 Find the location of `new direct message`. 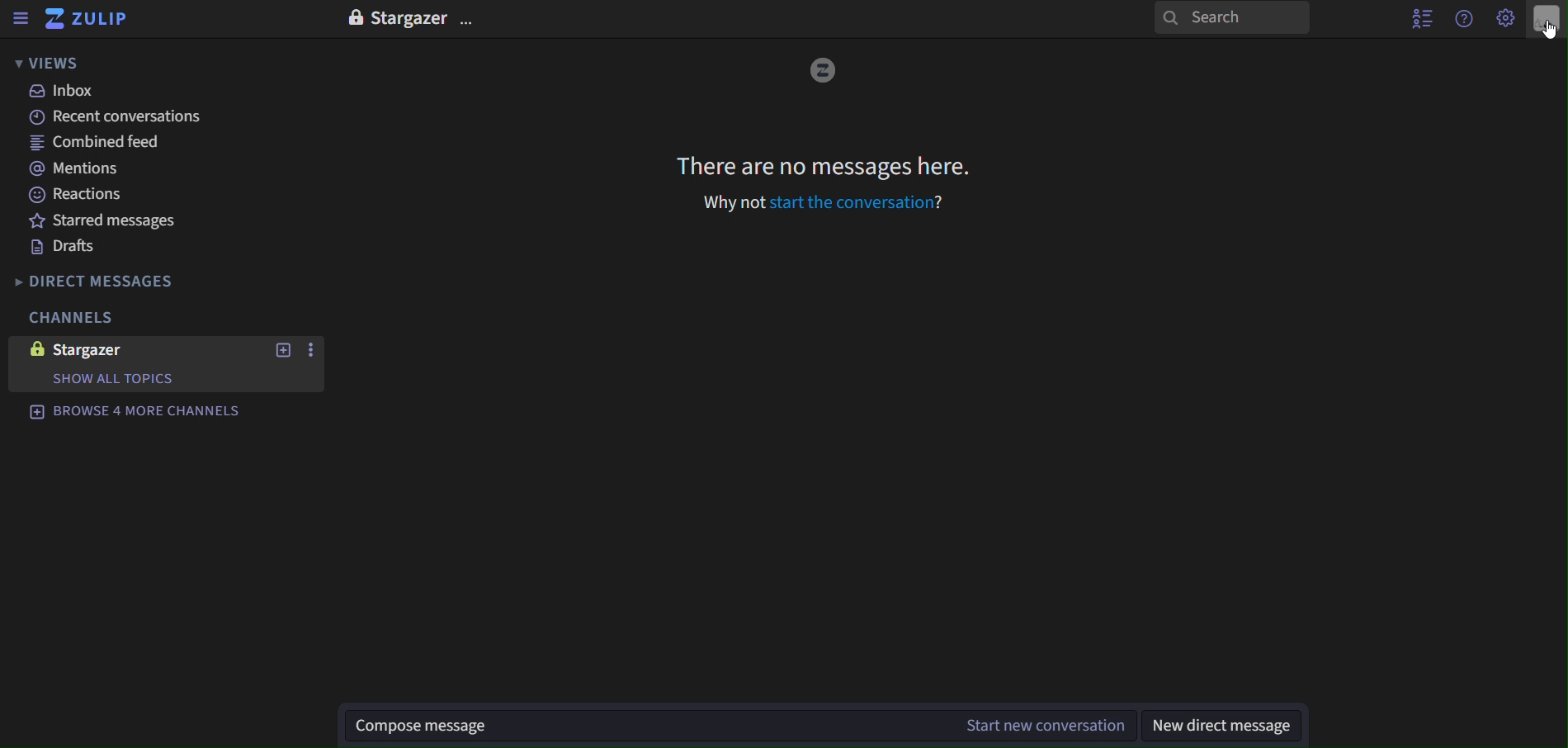

new direct message is located at coordinates (1221, 724).